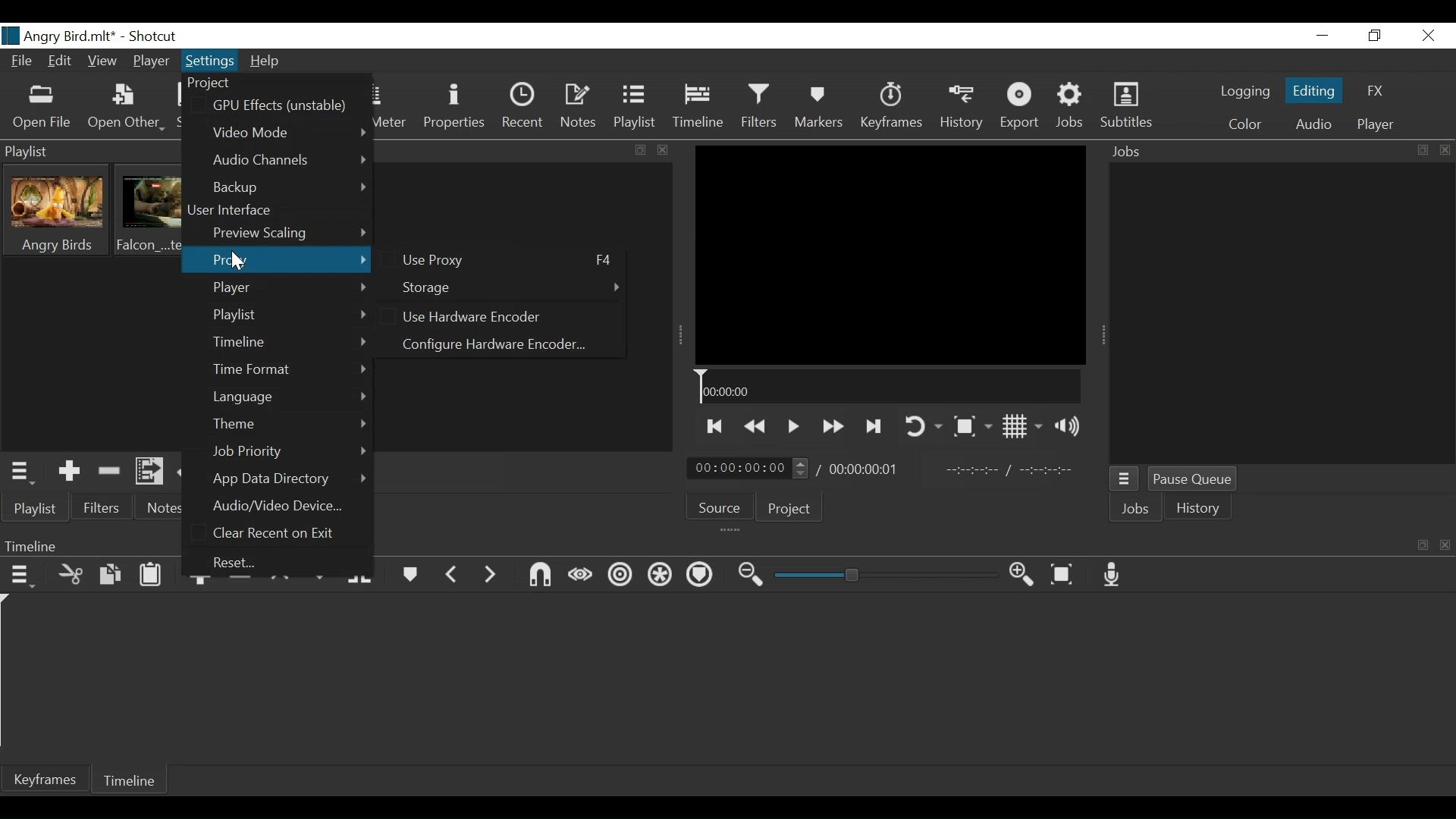 This screenshot has width=1456, height=819. Describe the element at coordinates (42, 108) in the screenshot. I see `Open File` at that location.